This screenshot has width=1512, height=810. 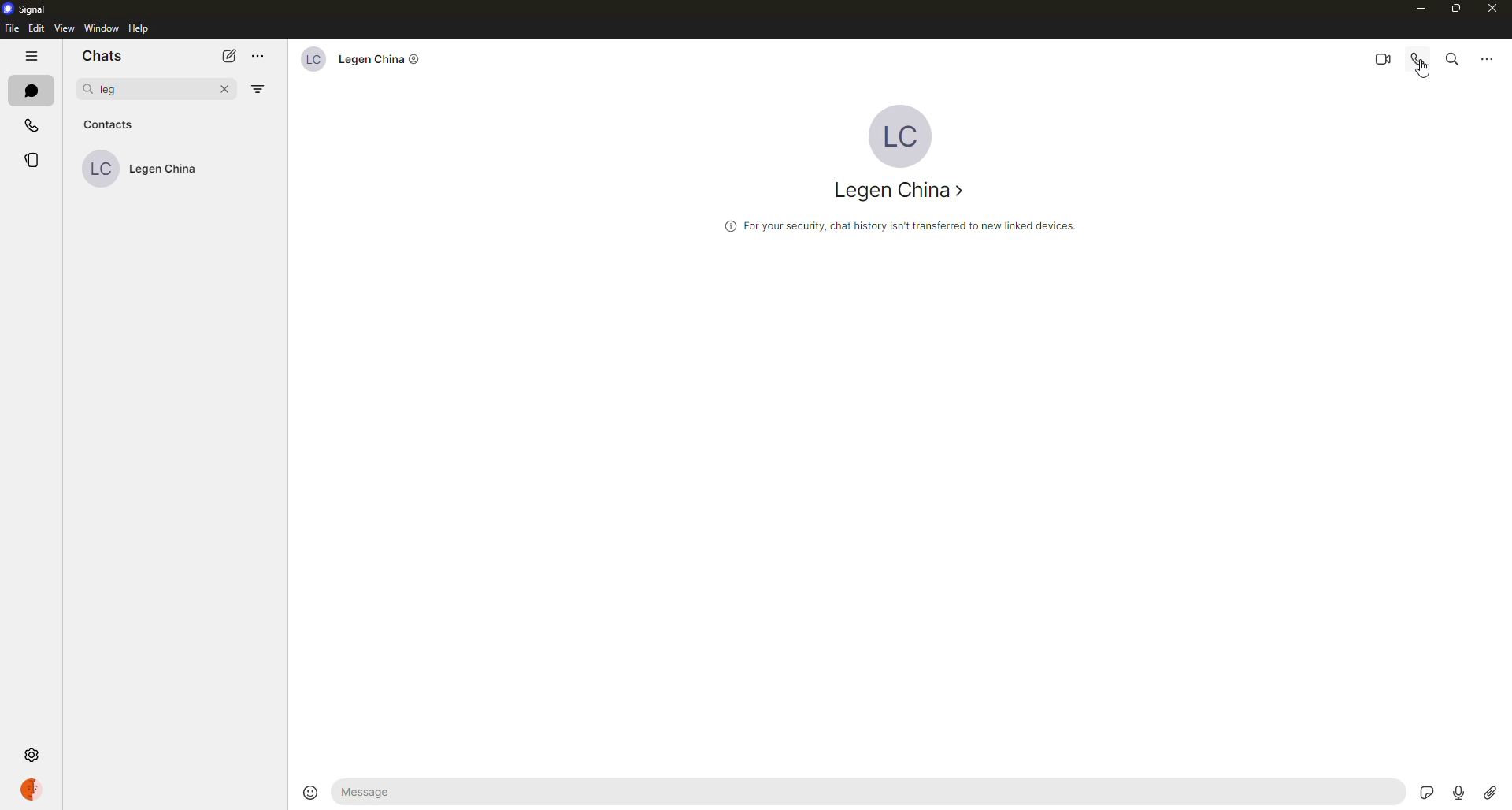 What do you see at coordinates (102, 28) in the screenshot?
I see `window` at bounding box center [102, 28].